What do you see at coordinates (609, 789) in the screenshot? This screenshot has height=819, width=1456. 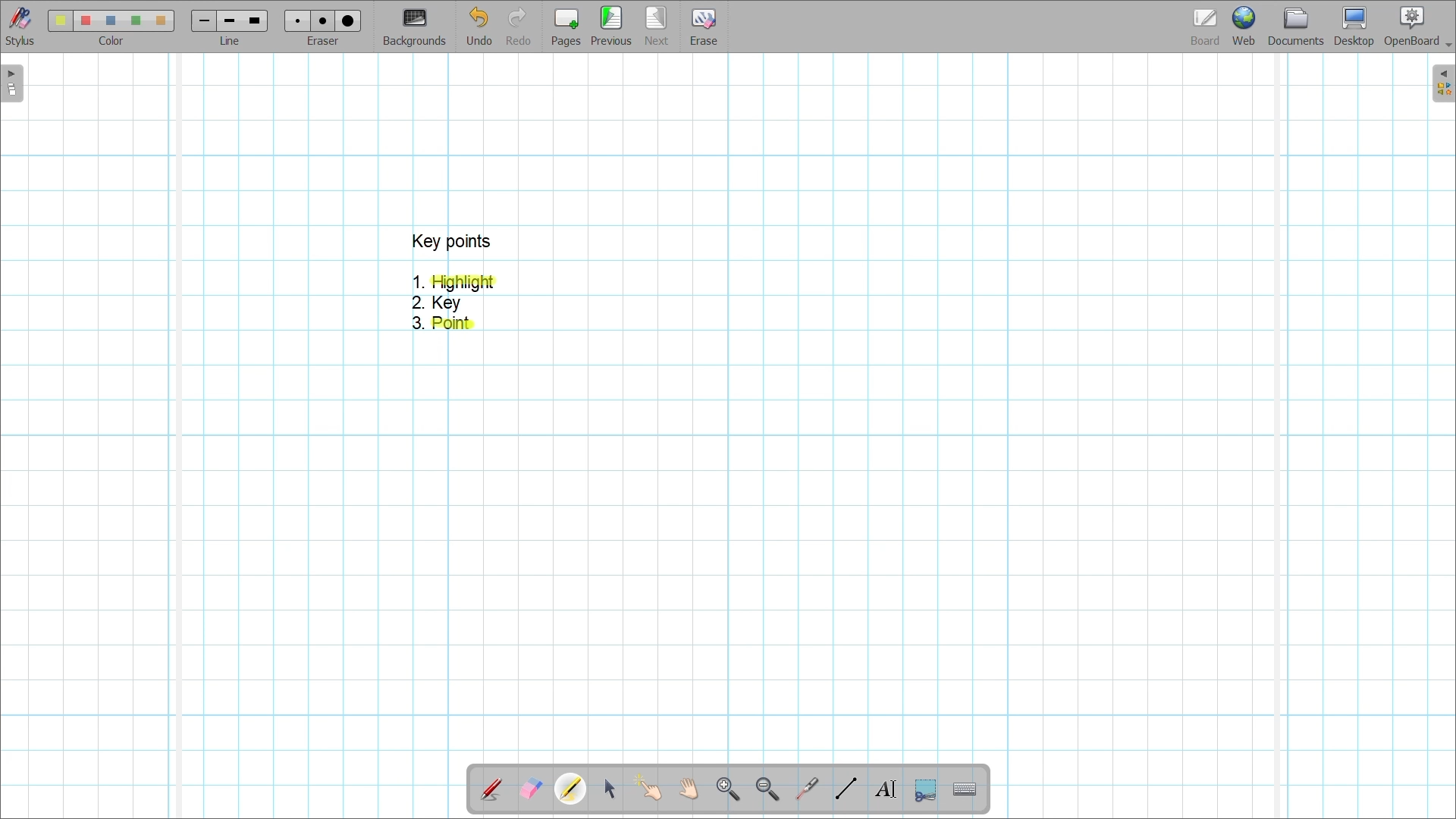 I see `Select and modify objects highlighted` at bounding box center [609, 789].